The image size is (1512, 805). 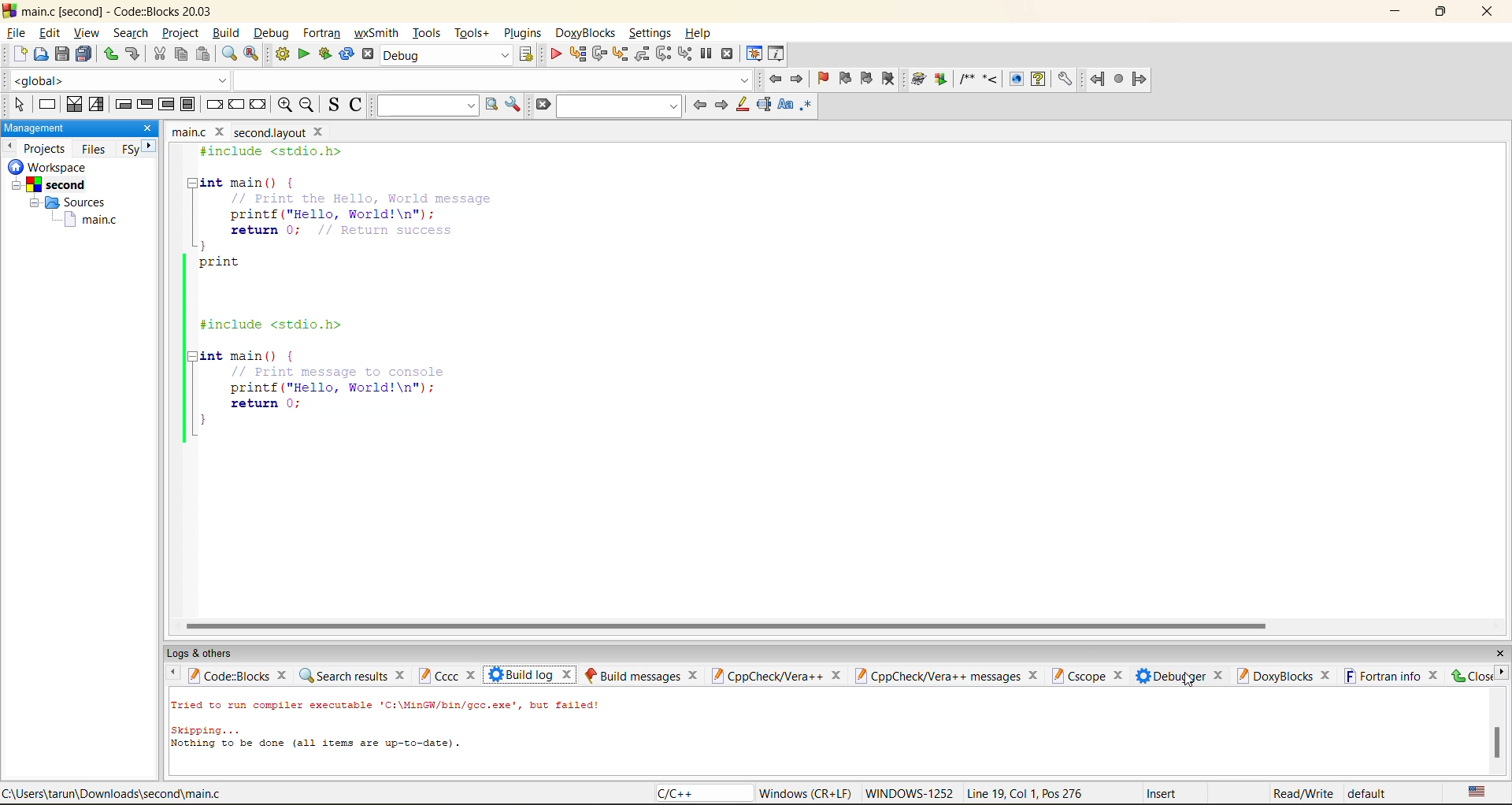 I want to click on search, so click(x=128, y=35).